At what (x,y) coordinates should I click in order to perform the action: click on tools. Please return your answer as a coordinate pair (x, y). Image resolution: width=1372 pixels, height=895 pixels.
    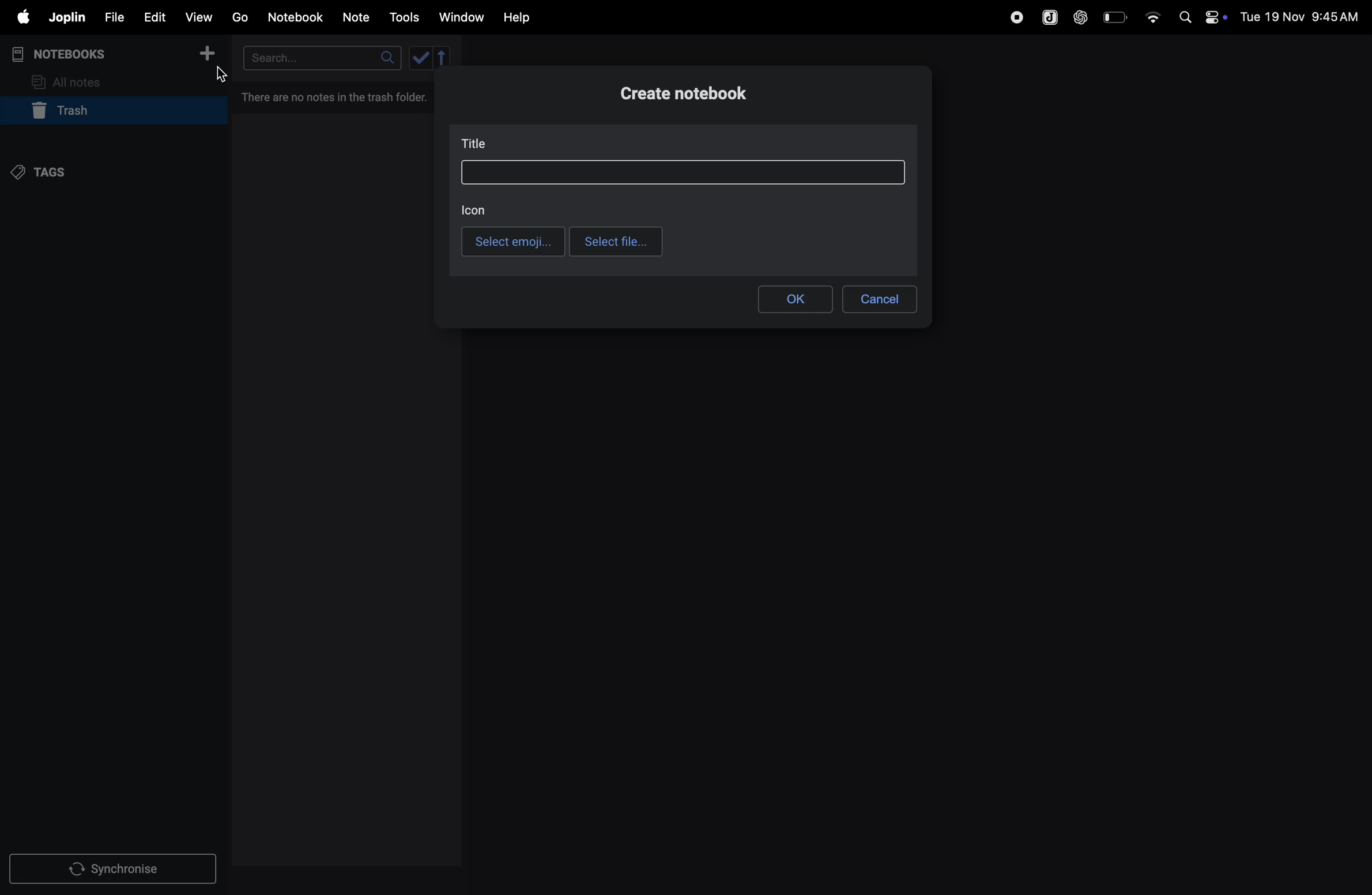
    Looking at the image, I should click on (402, 17).